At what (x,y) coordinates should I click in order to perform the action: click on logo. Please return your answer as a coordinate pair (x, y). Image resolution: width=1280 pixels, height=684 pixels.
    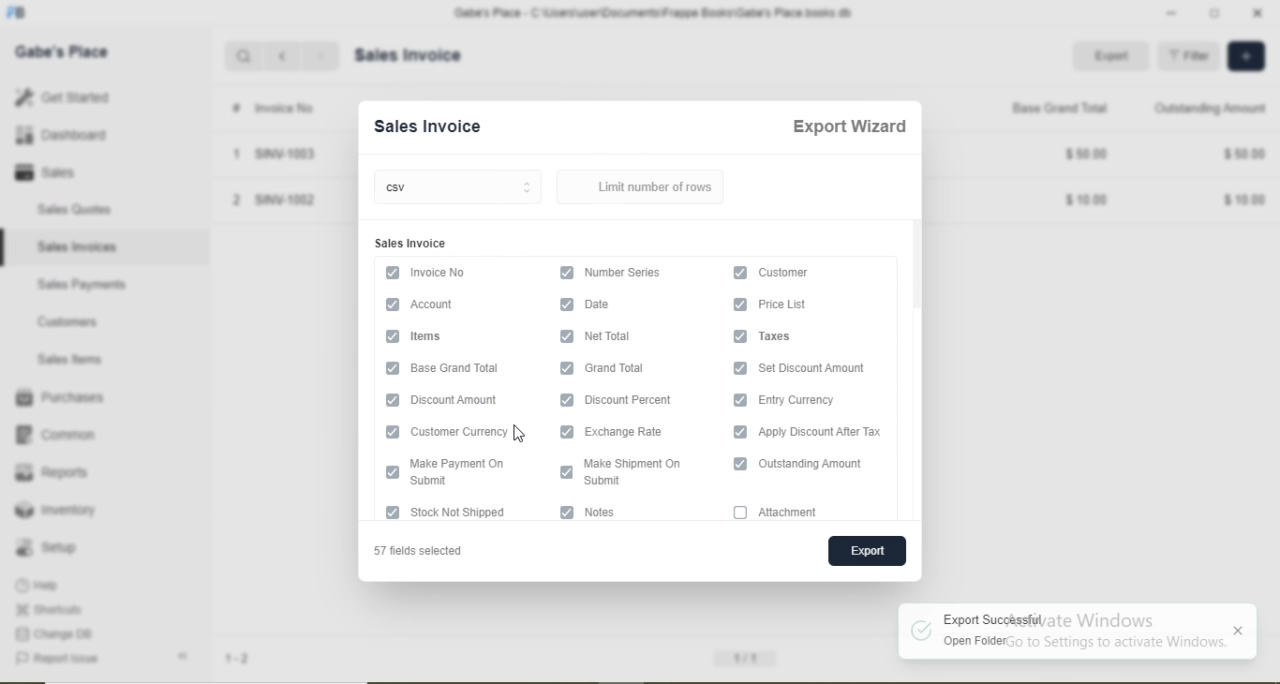
    Looking at the image, I should click on (922, 631).